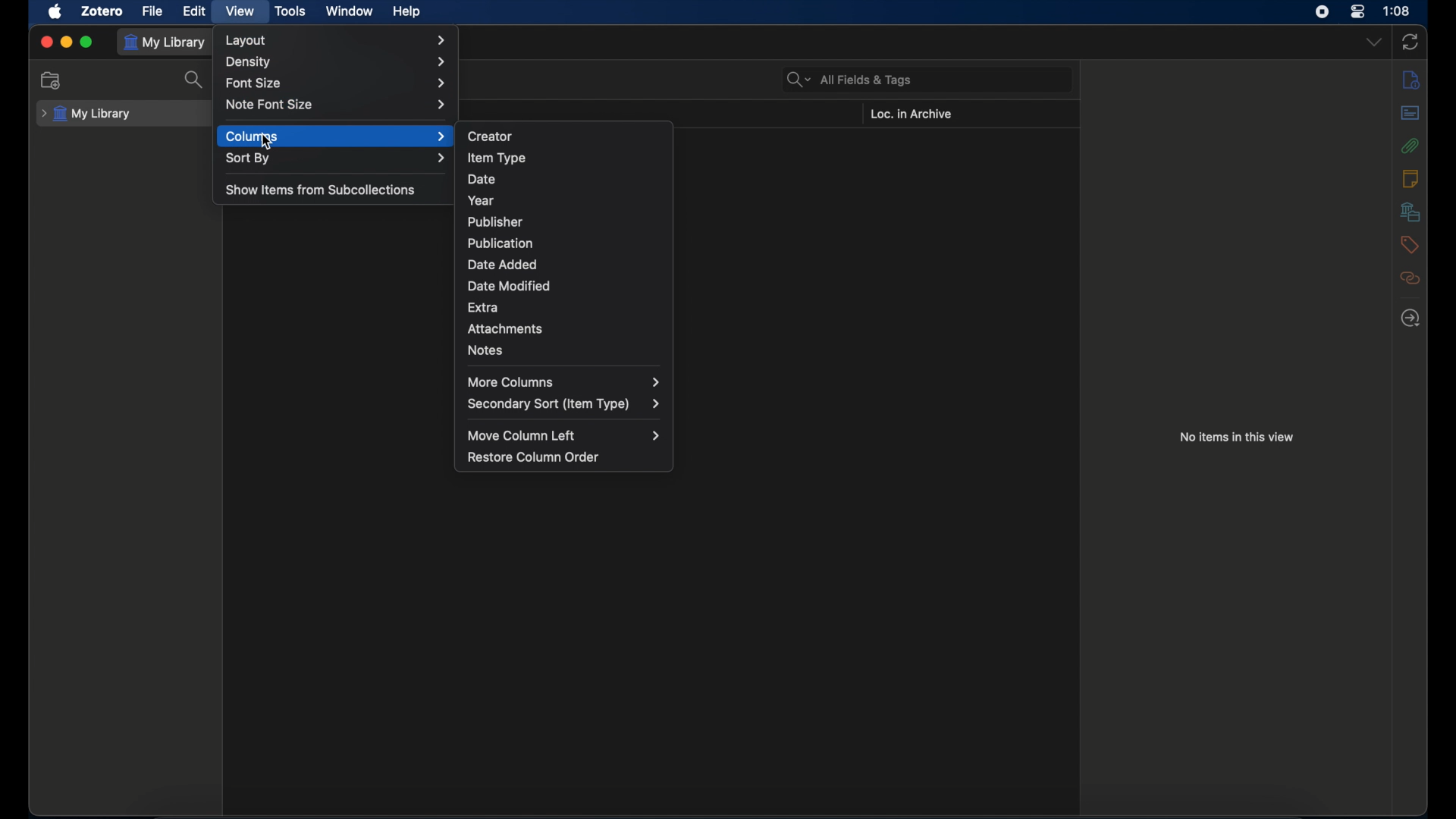 This screenshot has height=819, width=1456. What do you see at coordinates (491, 135) in the screenshot?
I see `creator` at bounding box center [491, 135].